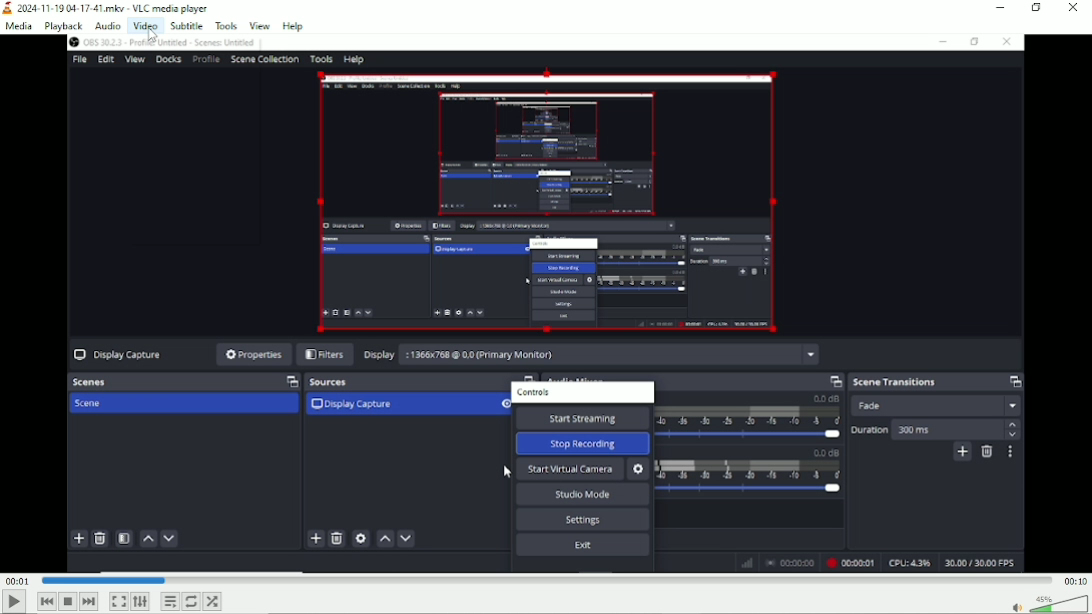 Image resolution: width=1092 pixels, height=614 pixels. I want to click on subtitle, so click(184, 25).